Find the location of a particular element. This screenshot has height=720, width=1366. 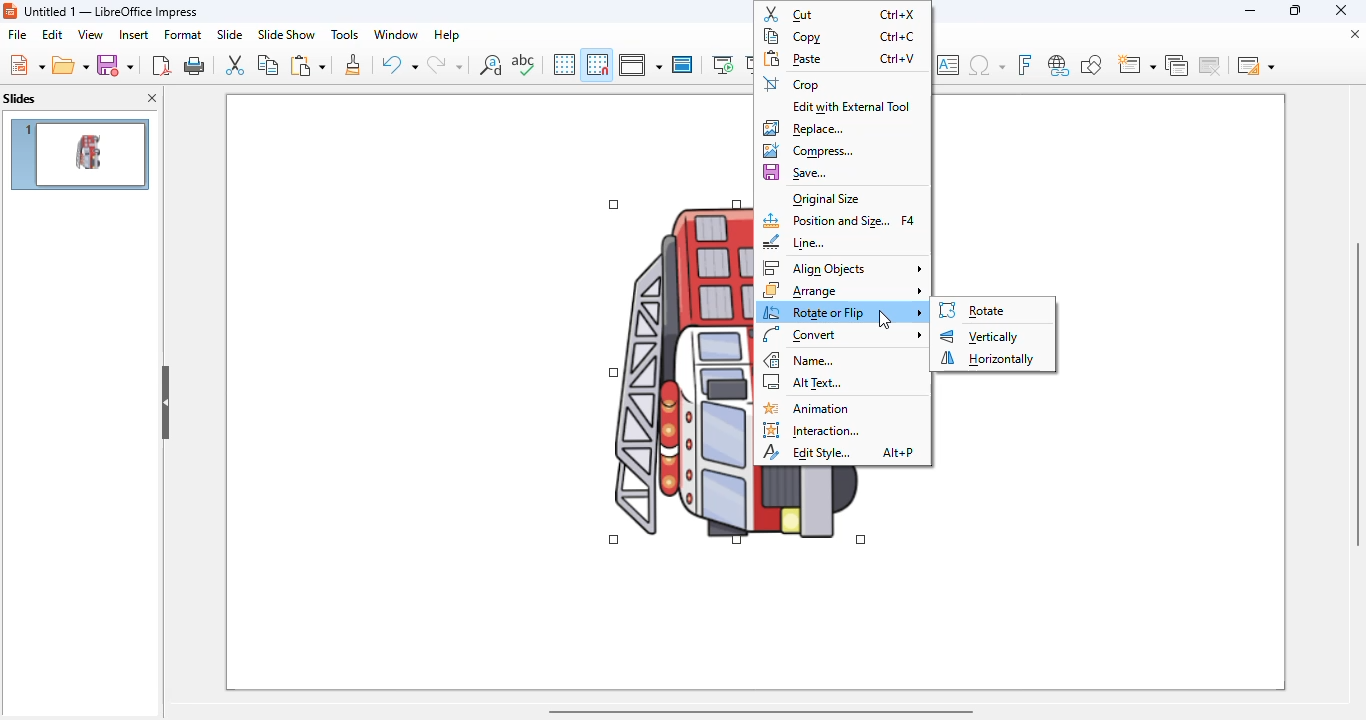

minimize is located at coordinates (1251, 10).